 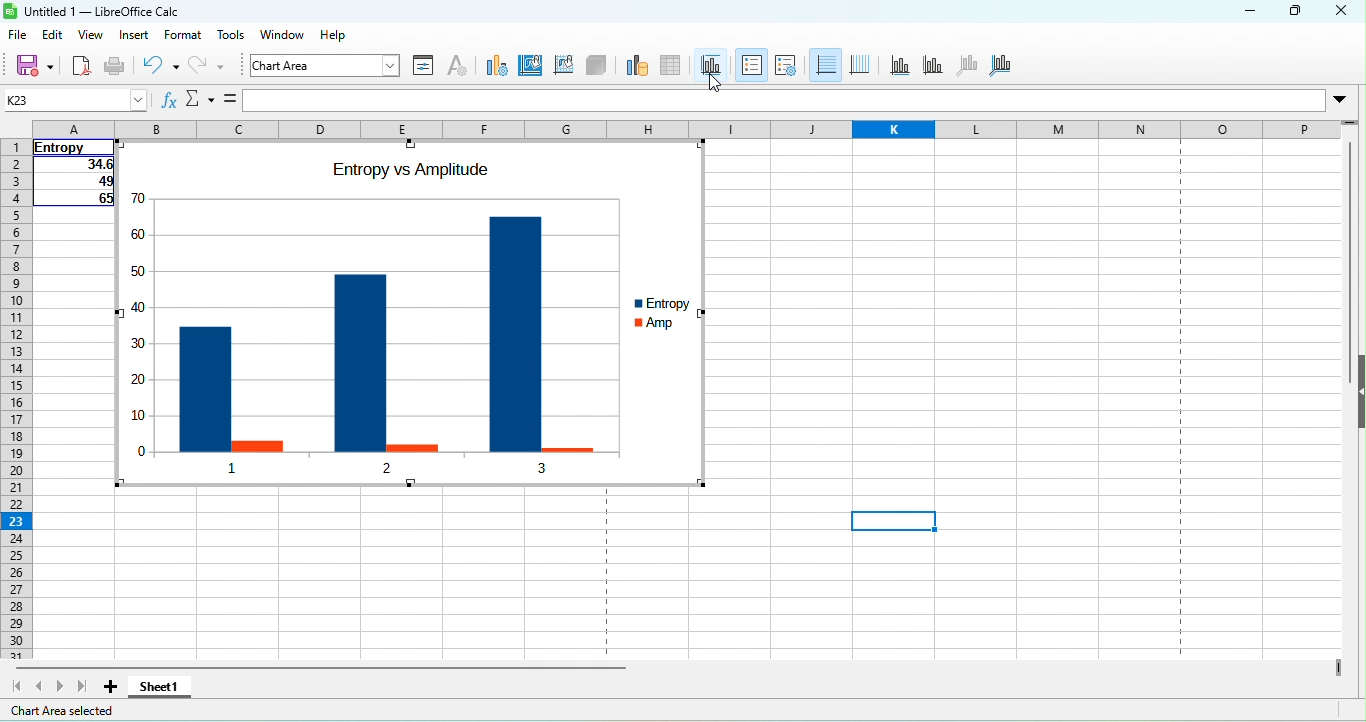 What do you see at coordinates (187, 39) in the screenshot?
I see `format` at bounding box center [187, 39].